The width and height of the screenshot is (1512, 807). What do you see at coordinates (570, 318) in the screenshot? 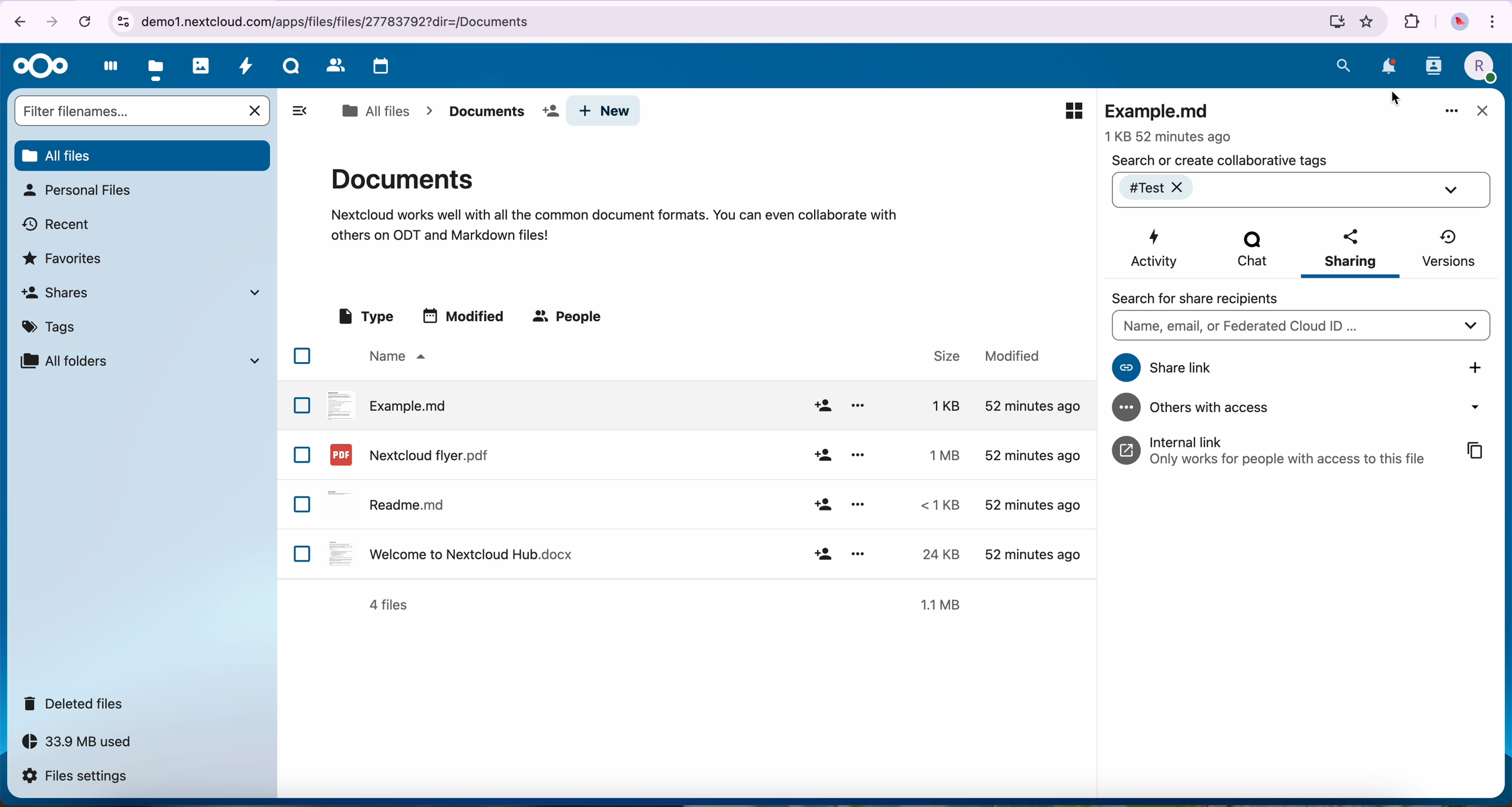
I see `people` at bounding box center [570, 318].